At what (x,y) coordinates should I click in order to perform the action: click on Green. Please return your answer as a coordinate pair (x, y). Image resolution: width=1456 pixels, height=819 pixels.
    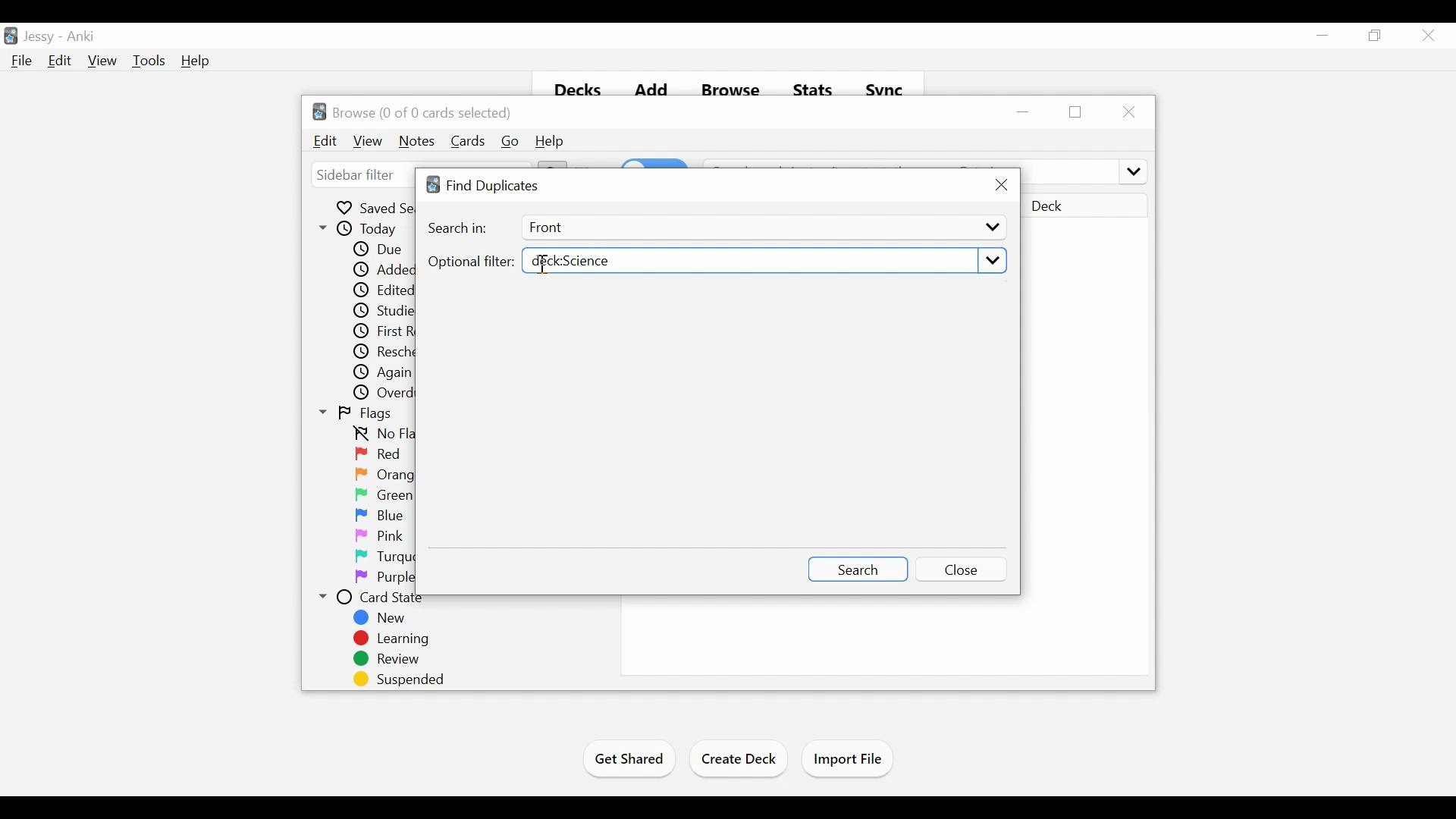
    Looking at the image, I should click on (384, 495).